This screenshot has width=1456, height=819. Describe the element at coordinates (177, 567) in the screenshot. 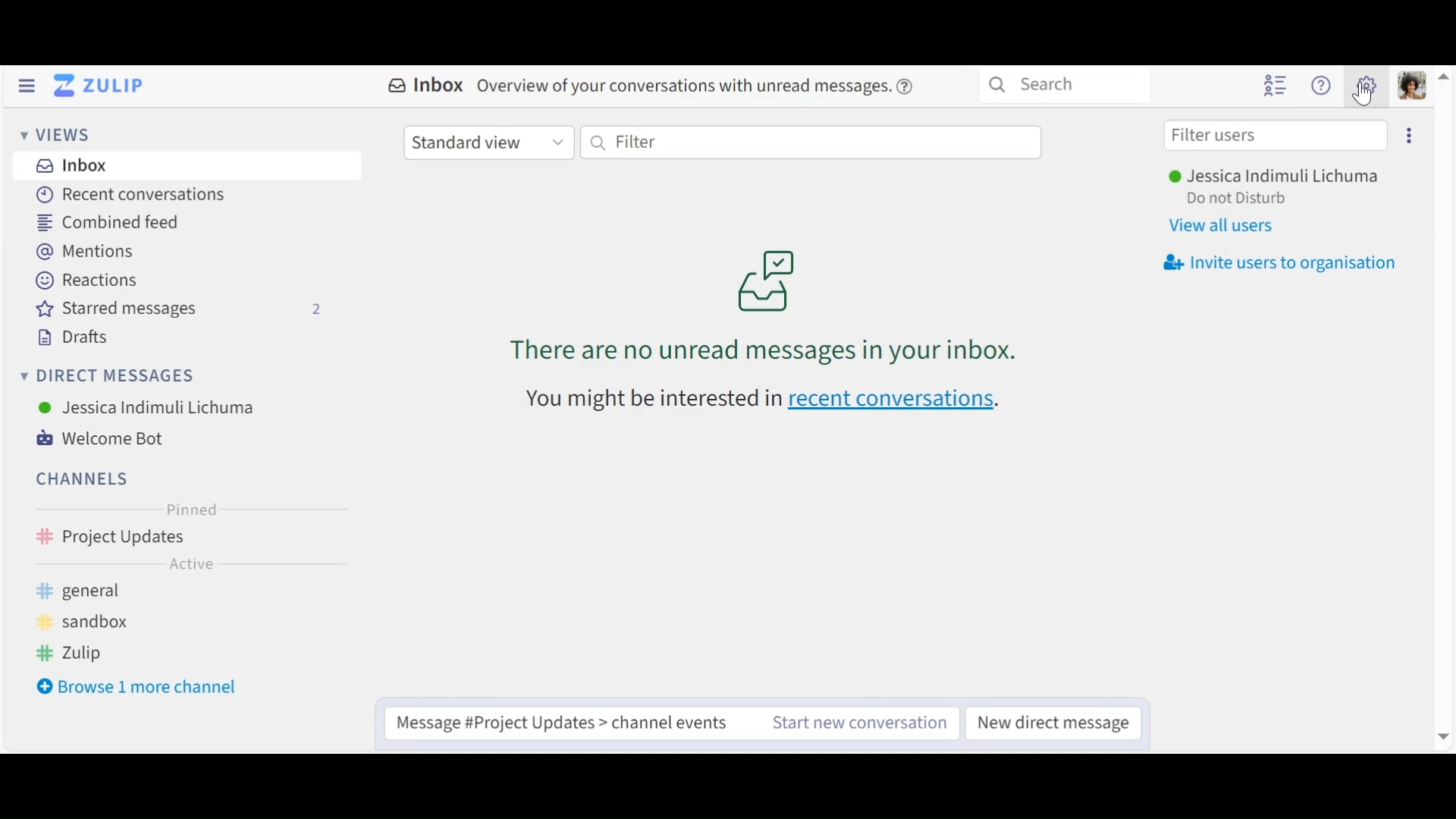

I see `Active` at that location.